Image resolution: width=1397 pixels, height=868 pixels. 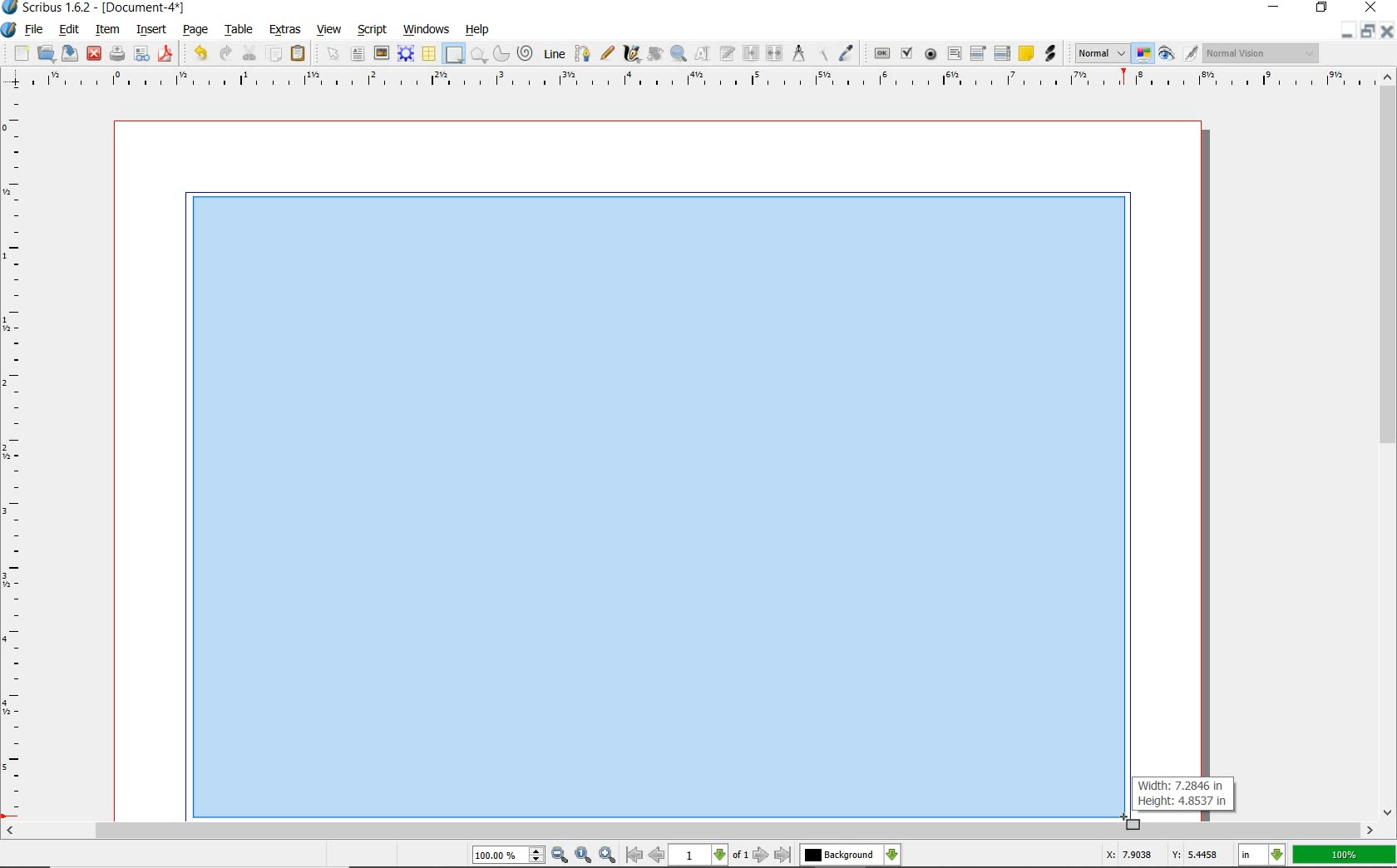 I want to click on zoom to 100%, so click(x=585, y=855).